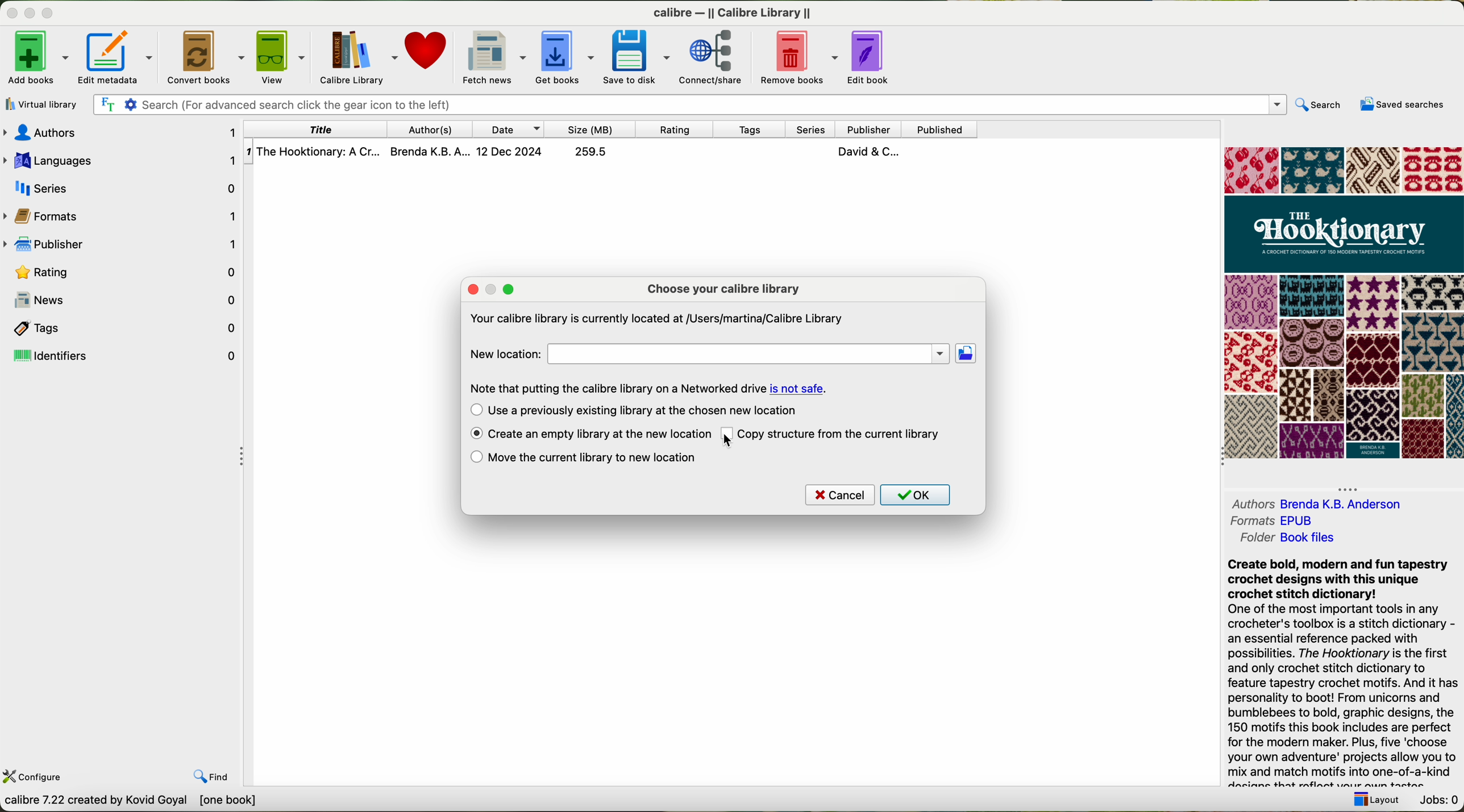 Image resolution: width=1464 pixels, height=812 pixels. Describe the element at coordinates (123, 217) in the screenshot. I see `formats` at that location.